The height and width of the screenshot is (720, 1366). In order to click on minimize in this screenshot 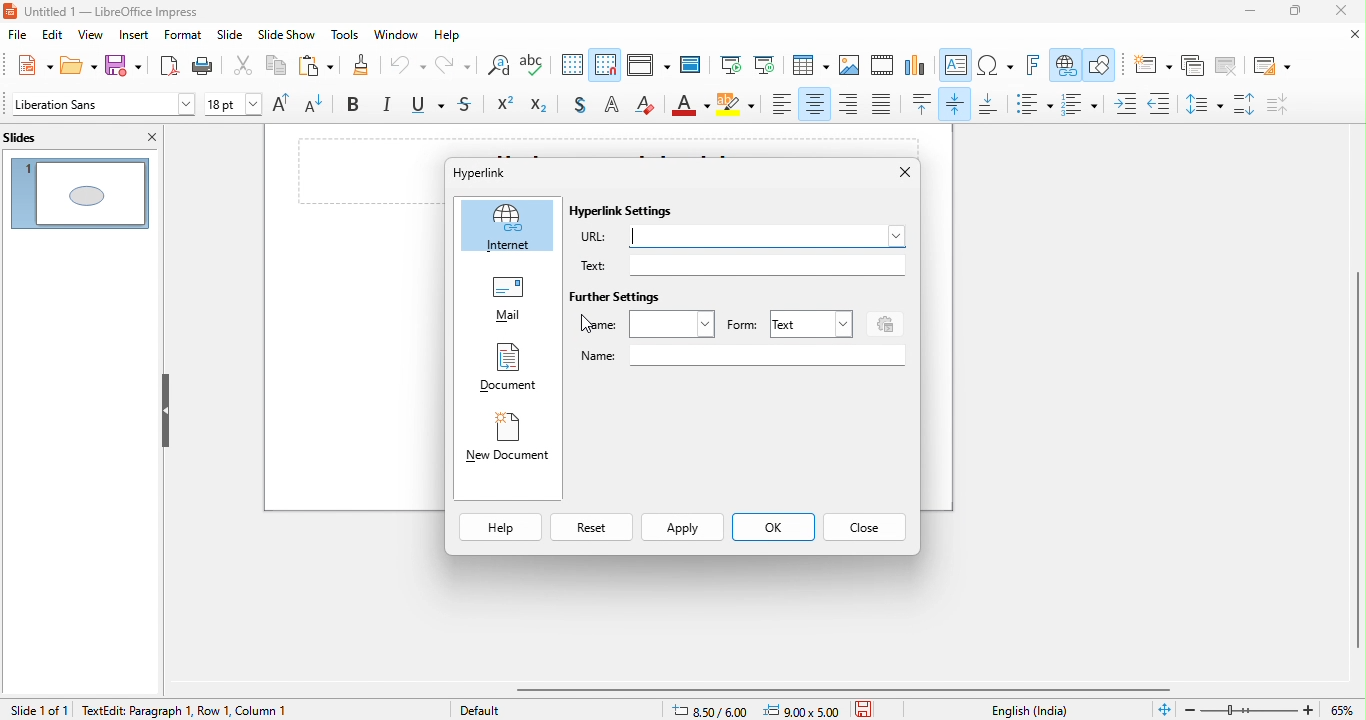, I will do `click(1239, 14)`.